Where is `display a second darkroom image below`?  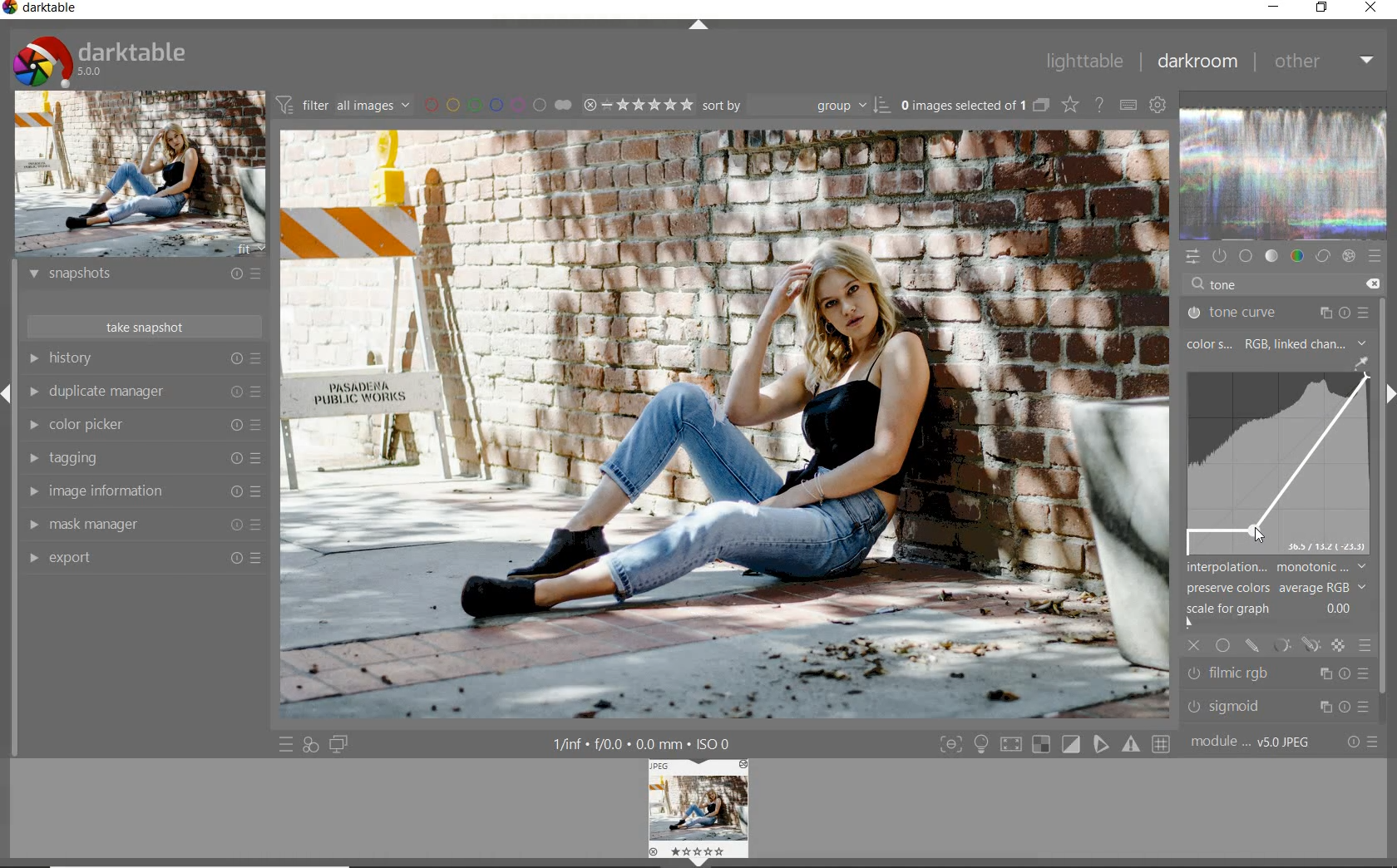
display a second darkroom image below is located at coordinates (341, 743).